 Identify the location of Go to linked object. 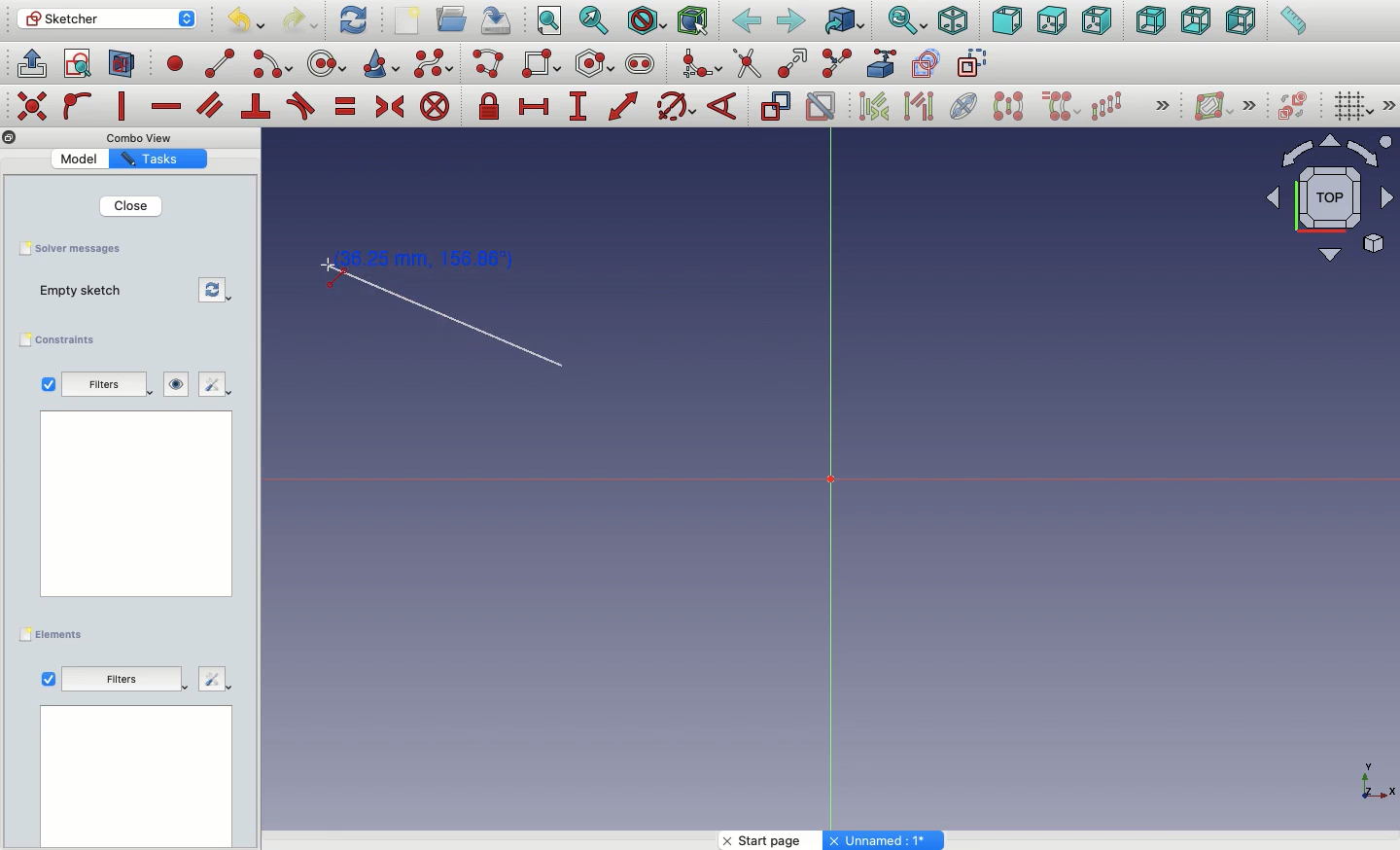
(844, 20).